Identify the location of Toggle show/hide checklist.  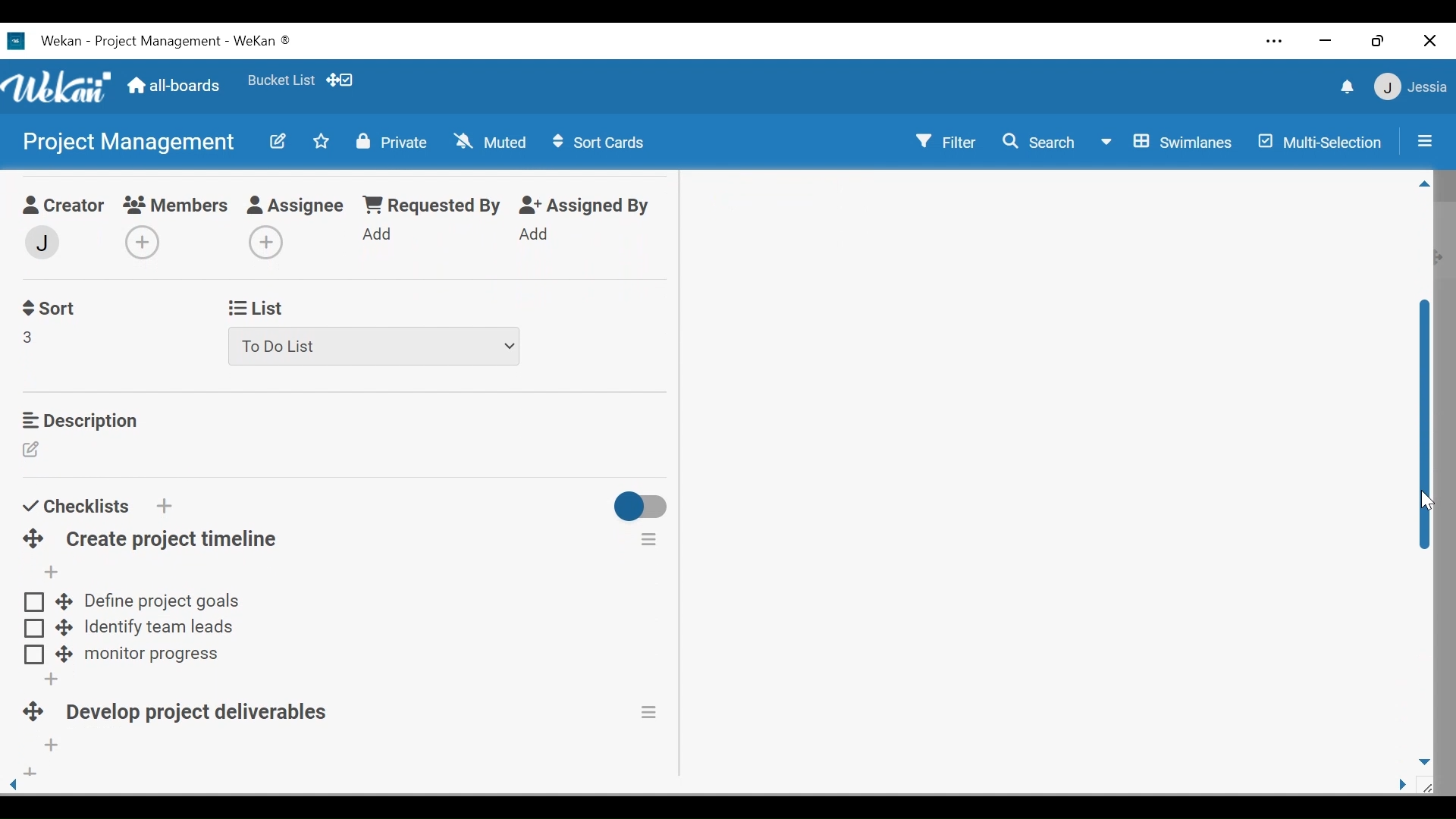
(642, 509).